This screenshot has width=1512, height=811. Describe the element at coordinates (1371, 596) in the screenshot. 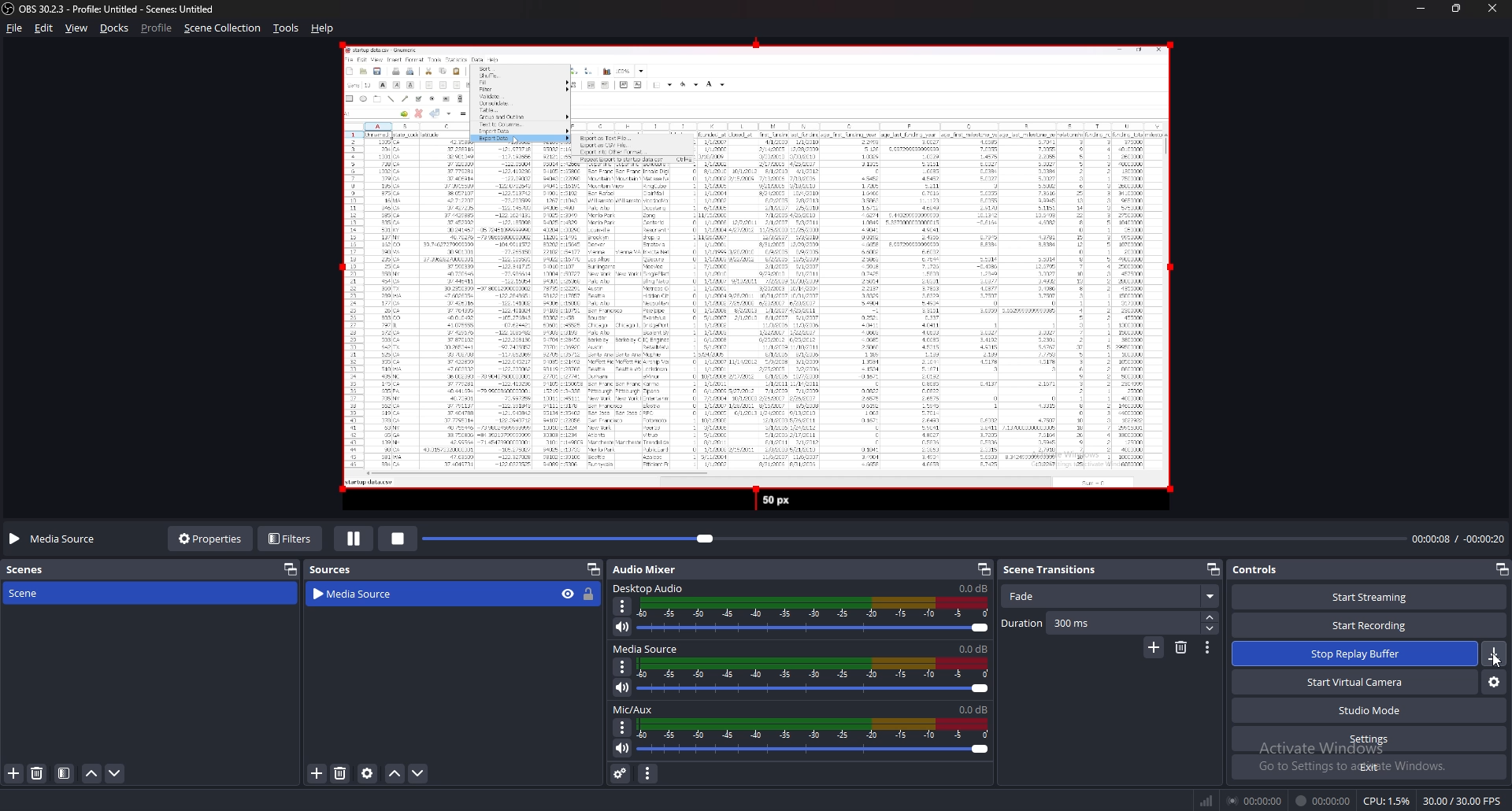

I see `start streaming` at that location.